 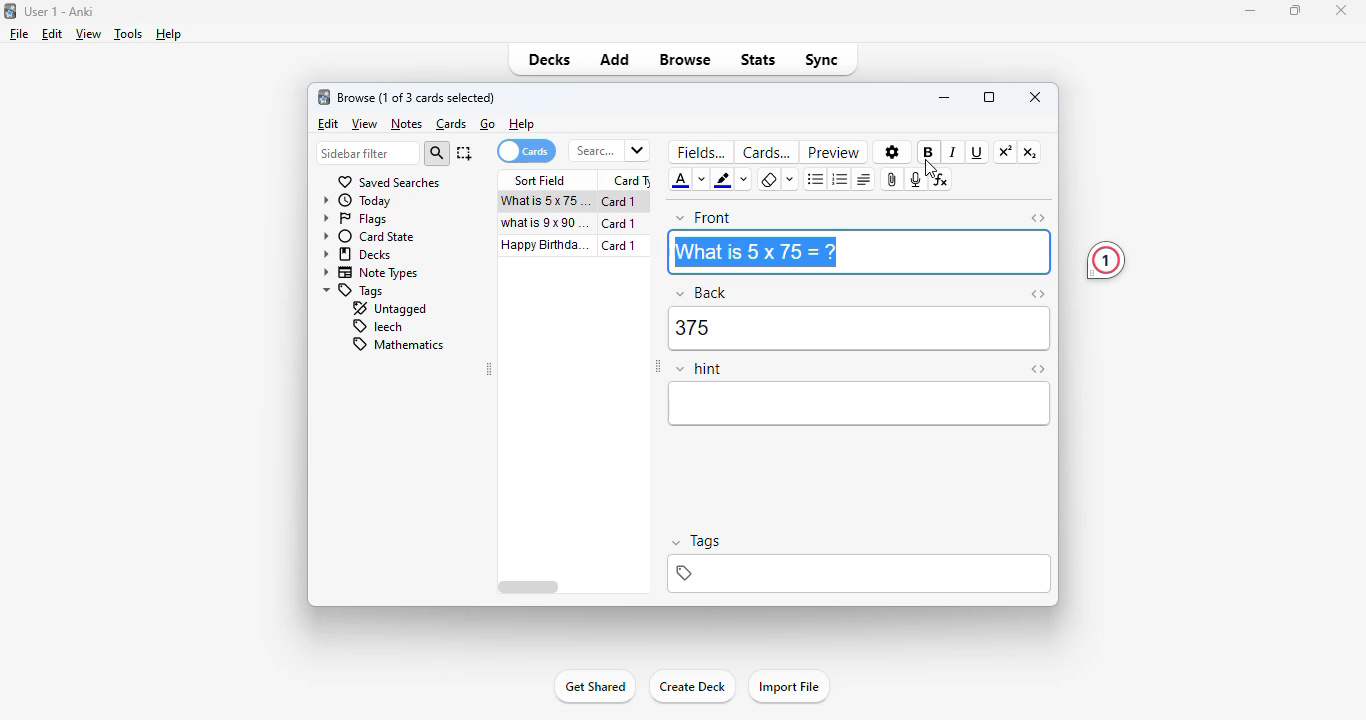 What do you see at coordinates (1030, 153) in the screenshot?
I see `subscript` at bounding box center [1030, 153].